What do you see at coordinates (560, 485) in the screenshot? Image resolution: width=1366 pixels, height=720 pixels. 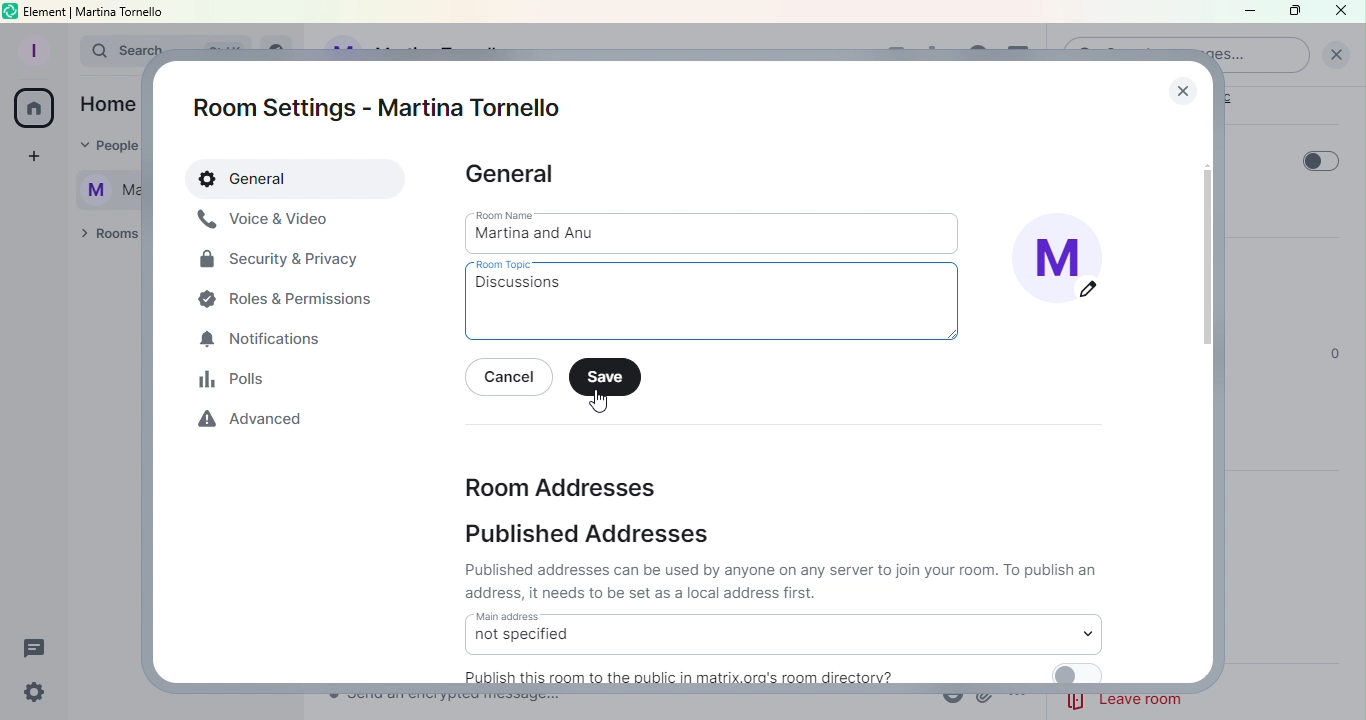 I see `Room addresses` at bounding box center [560, 485].